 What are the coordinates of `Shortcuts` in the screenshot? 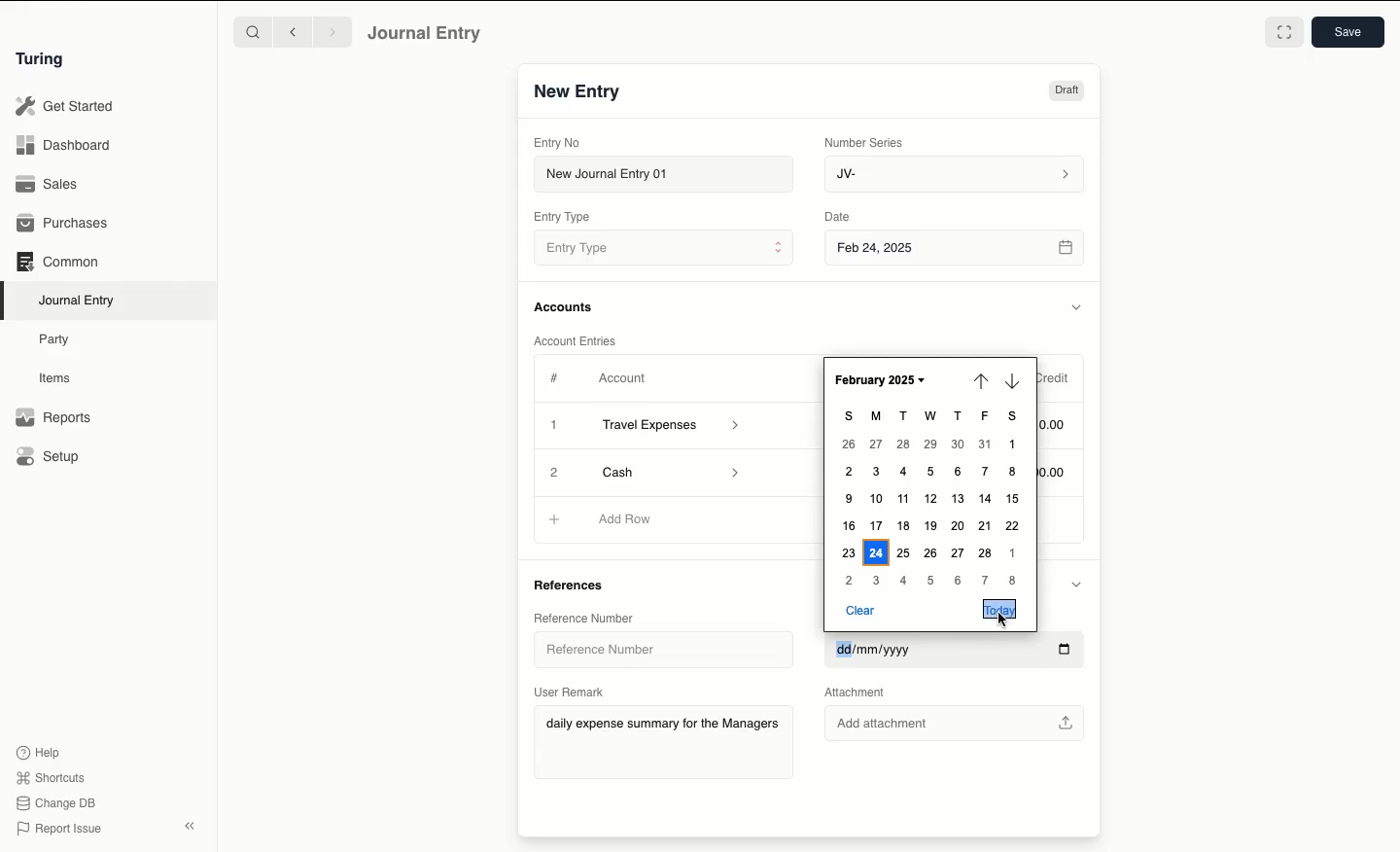 It's located at (53, 778).